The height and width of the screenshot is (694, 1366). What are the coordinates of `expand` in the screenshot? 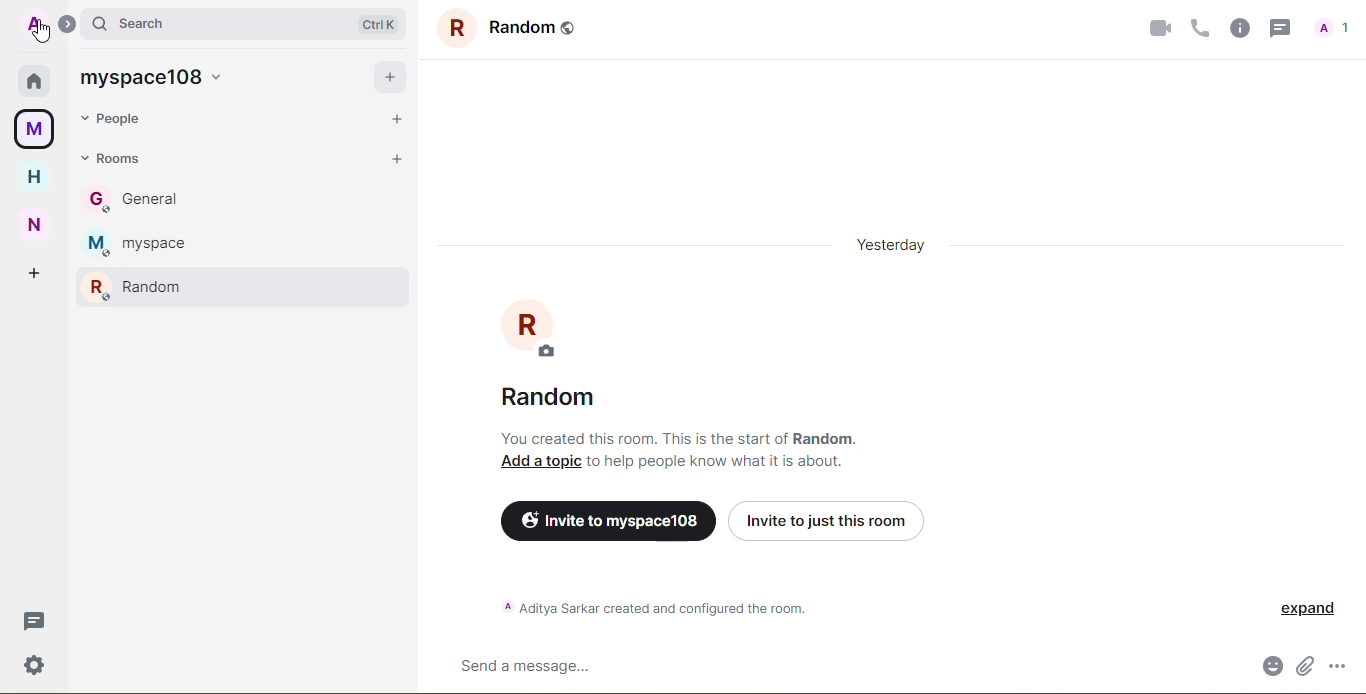 It's located at (1309, 608).